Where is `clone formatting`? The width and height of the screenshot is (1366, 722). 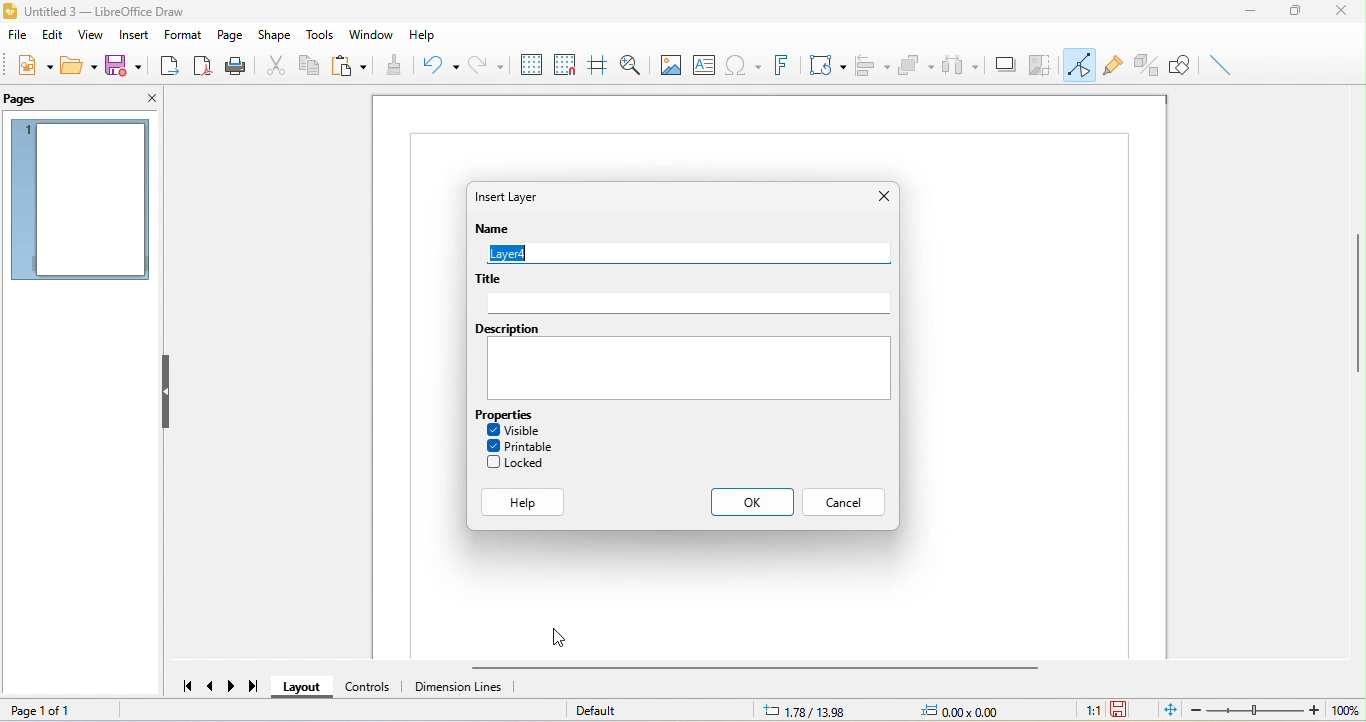 clone formatting is located at coordinates (393, 66).